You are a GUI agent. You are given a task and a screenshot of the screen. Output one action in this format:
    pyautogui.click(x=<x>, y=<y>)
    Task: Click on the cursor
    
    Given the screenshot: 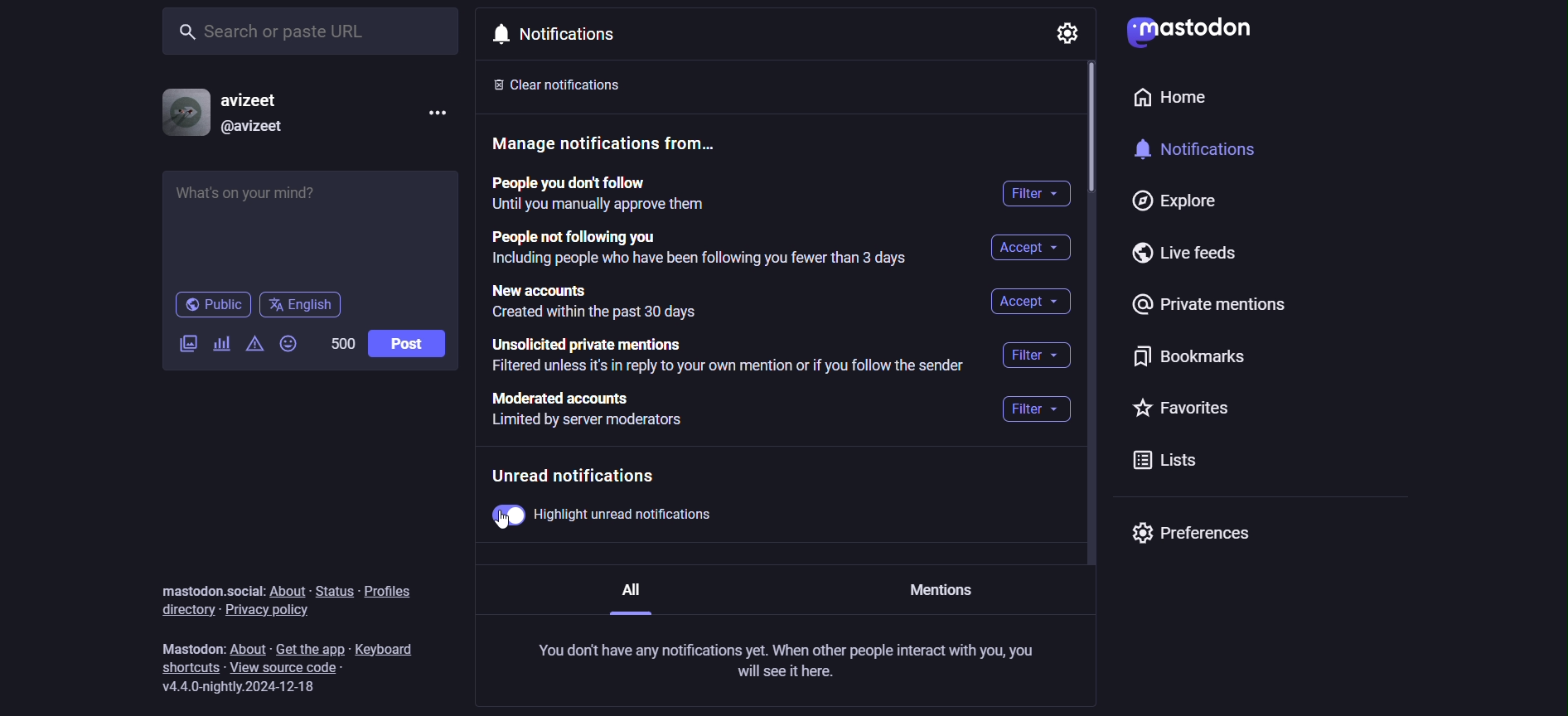 What is the action you would take?
    pyautogui.click(x=500, y=524)
    